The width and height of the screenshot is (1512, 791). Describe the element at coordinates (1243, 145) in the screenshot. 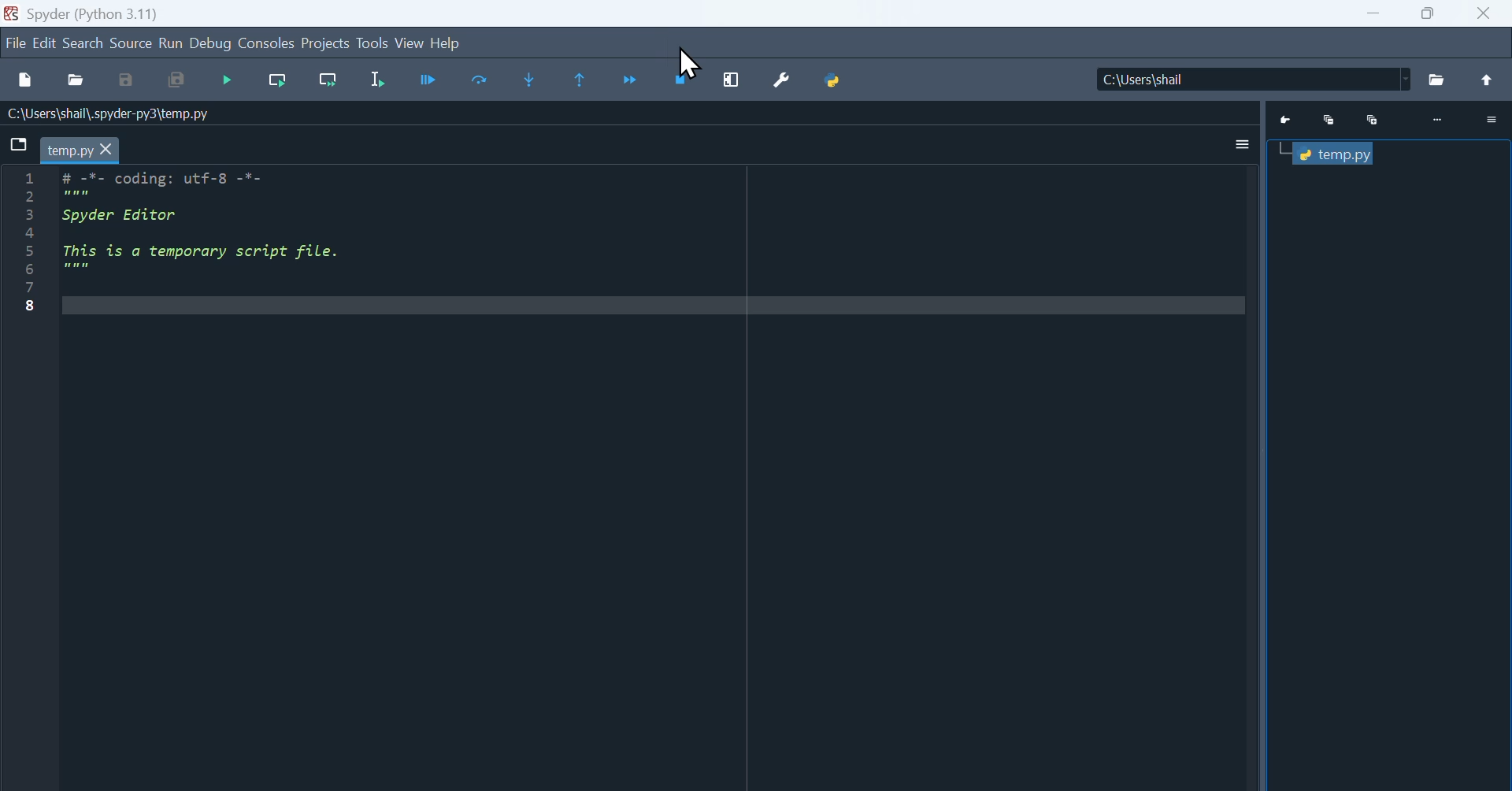

I see `More options` at that location.